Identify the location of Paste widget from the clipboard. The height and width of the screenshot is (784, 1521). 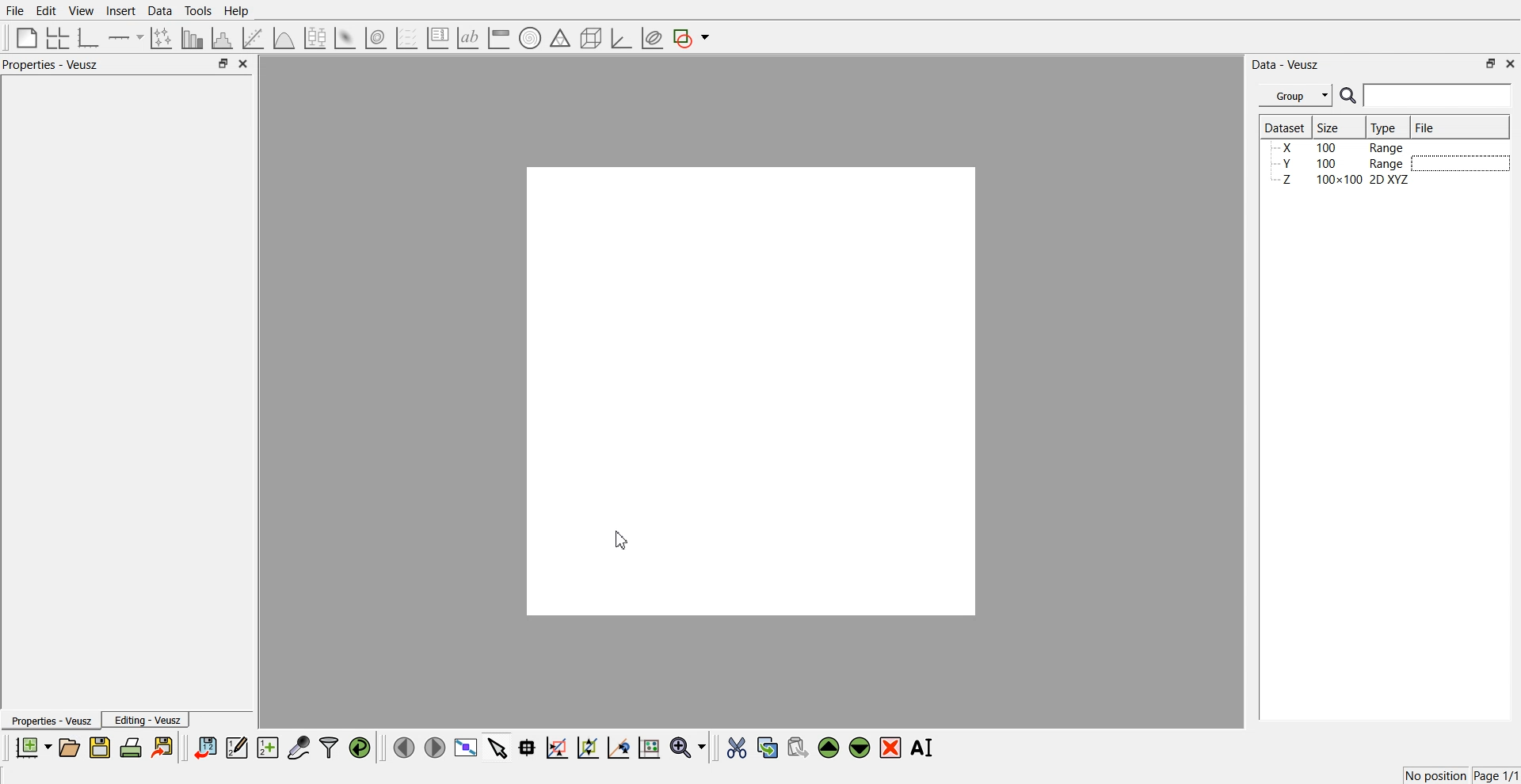
(798, 746).